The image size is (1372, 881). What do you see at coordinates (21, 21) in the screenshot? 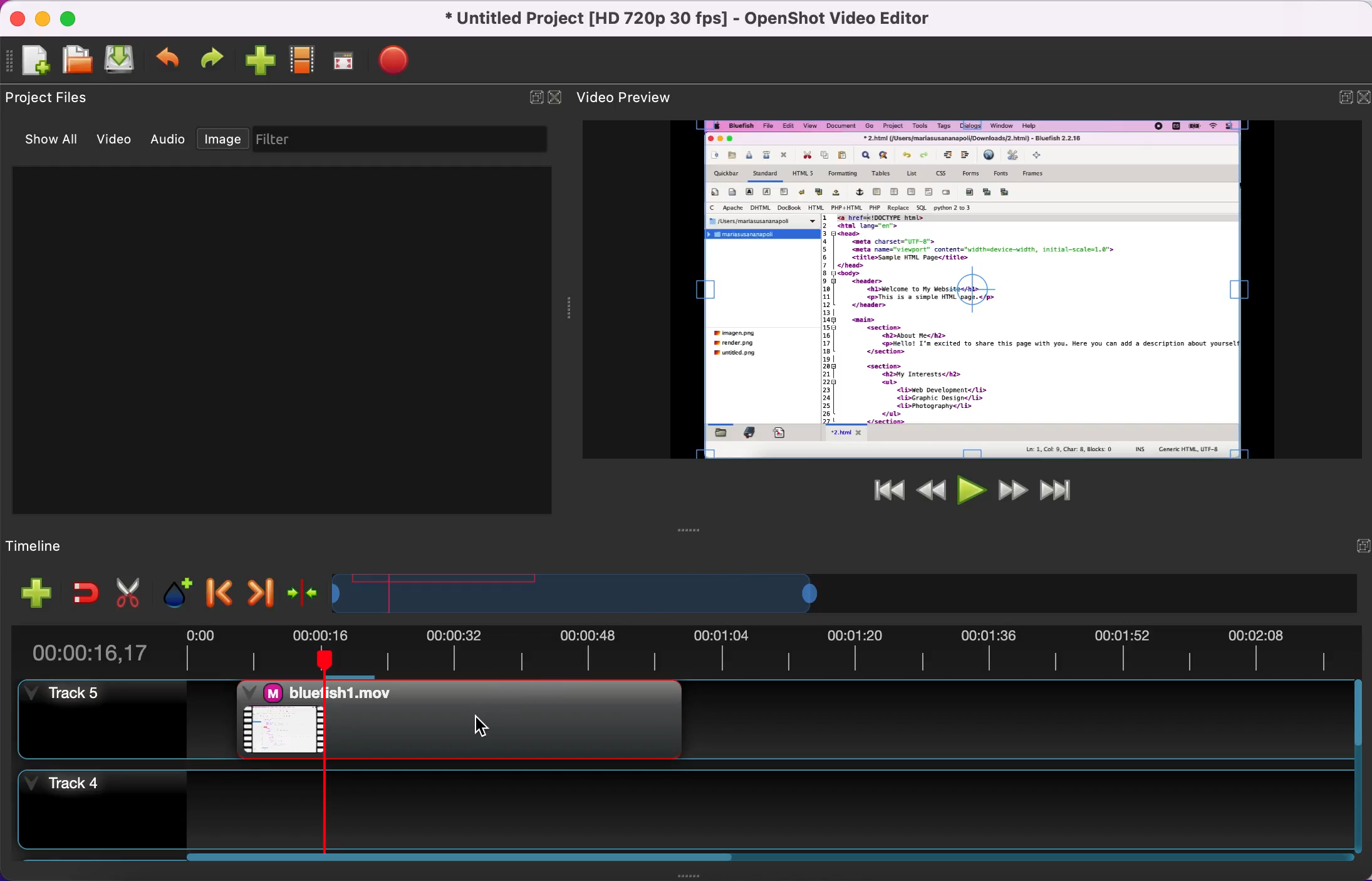
I see `close` at bounding box center [21, 21].